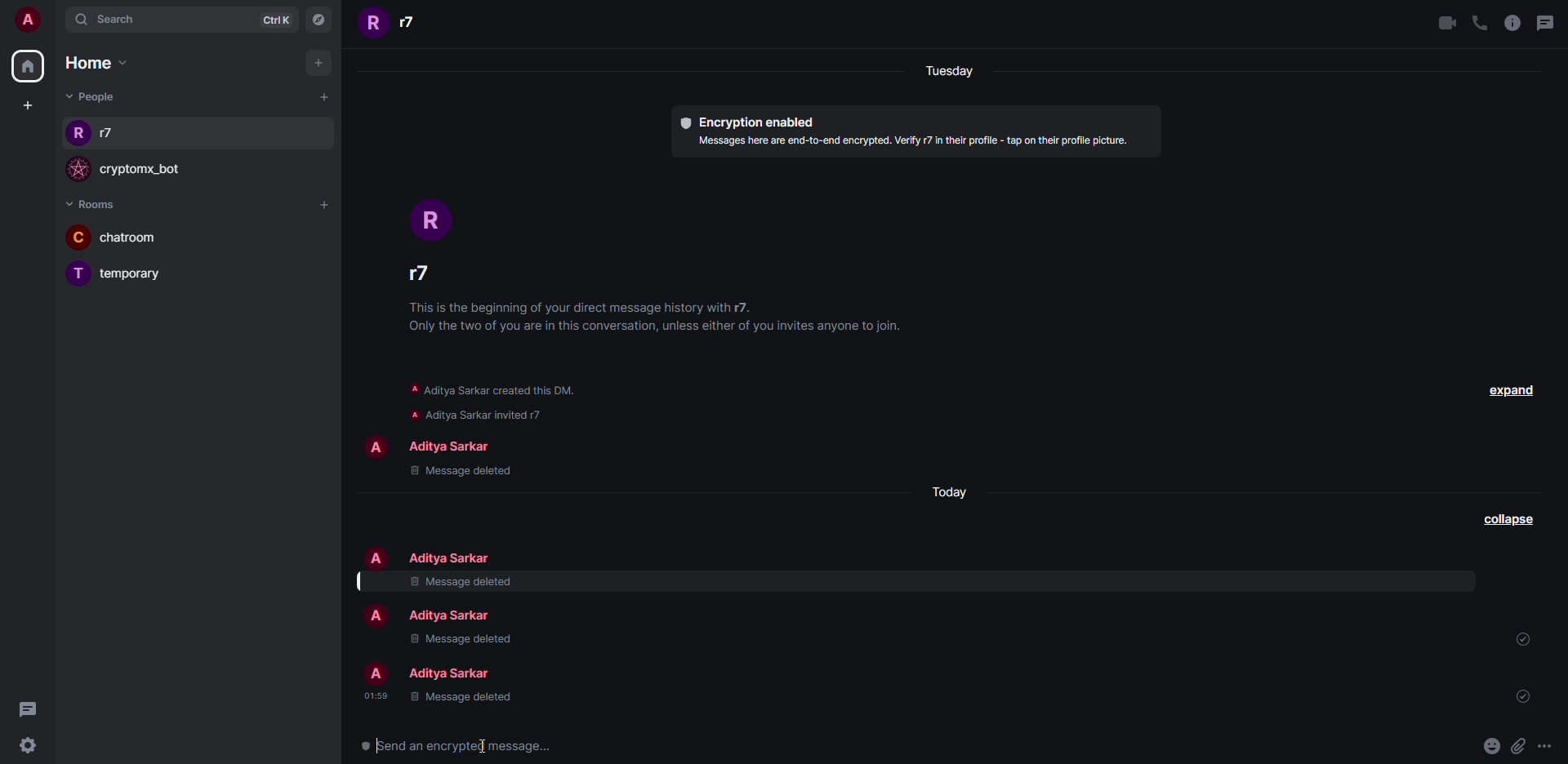  Describe the element at coordinates (80, 237) in the screenshot. I see `profile` at that location.